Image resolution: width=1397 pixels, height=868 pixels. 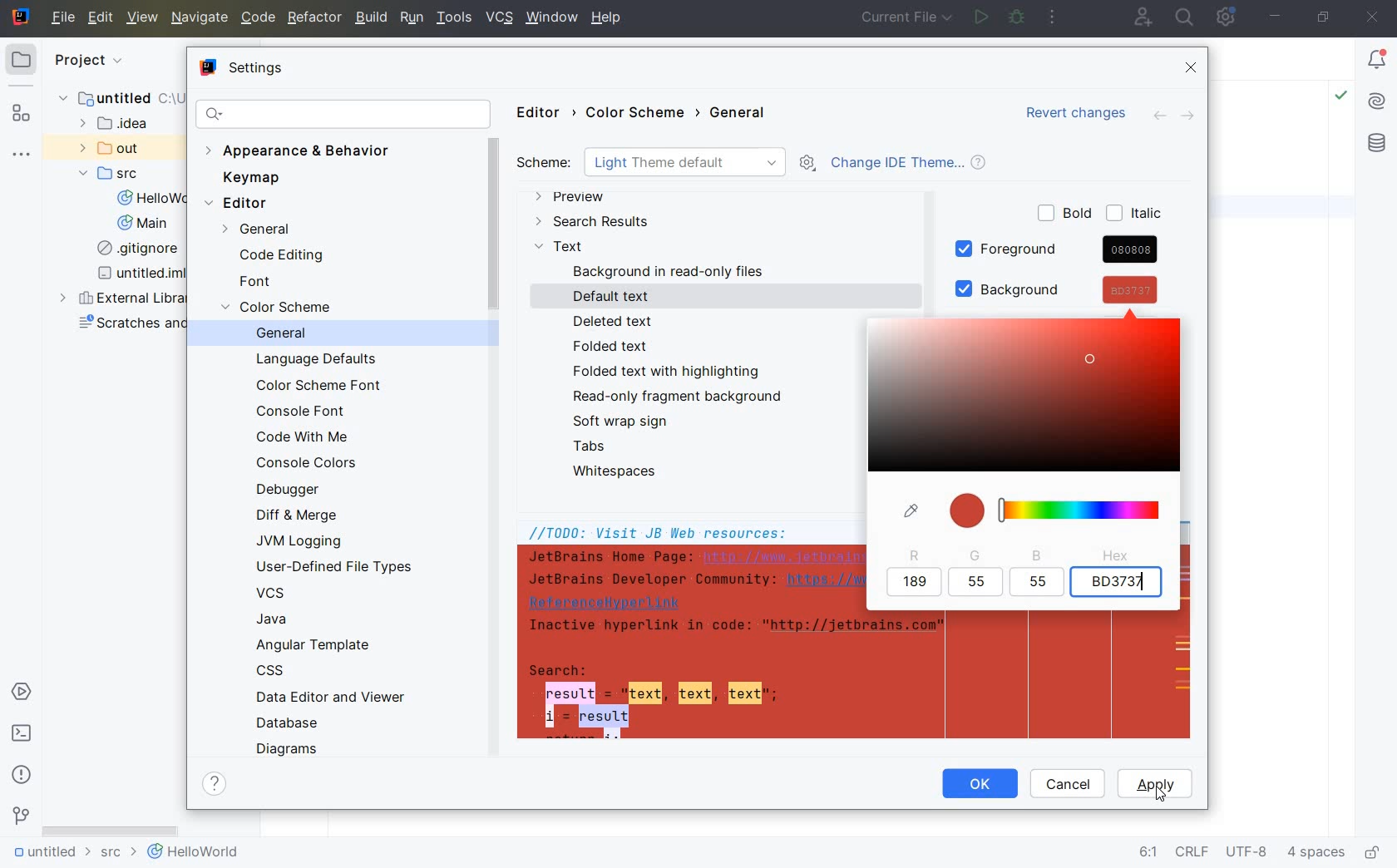 What do you see at coordinates (1026, 580) in the screenshot?
I see `COLOR SELECTION` at bounding box center [1026, 580].